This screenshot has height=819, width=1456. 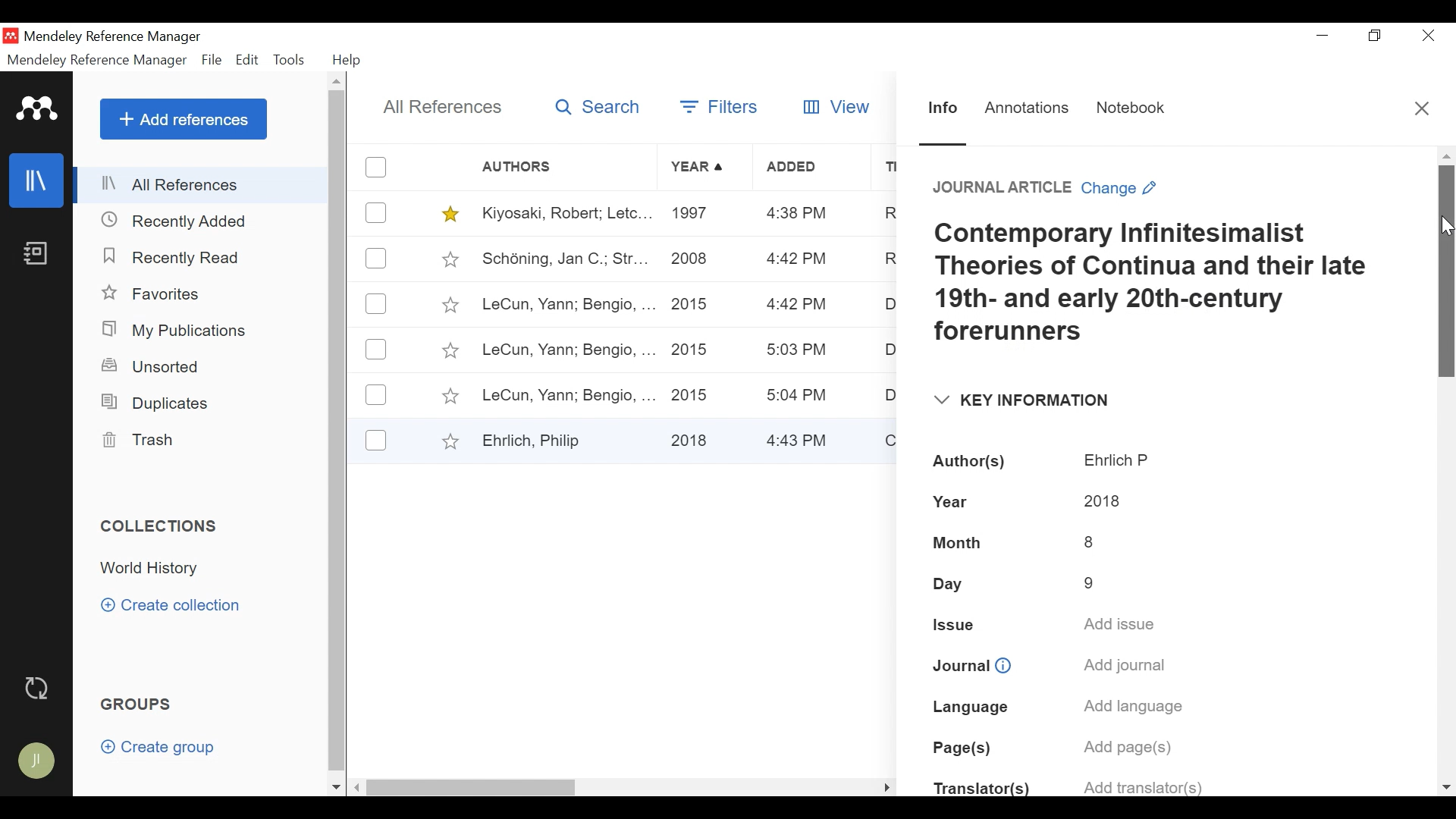 I want to click on Duplicates, so click(x=152, y=403).